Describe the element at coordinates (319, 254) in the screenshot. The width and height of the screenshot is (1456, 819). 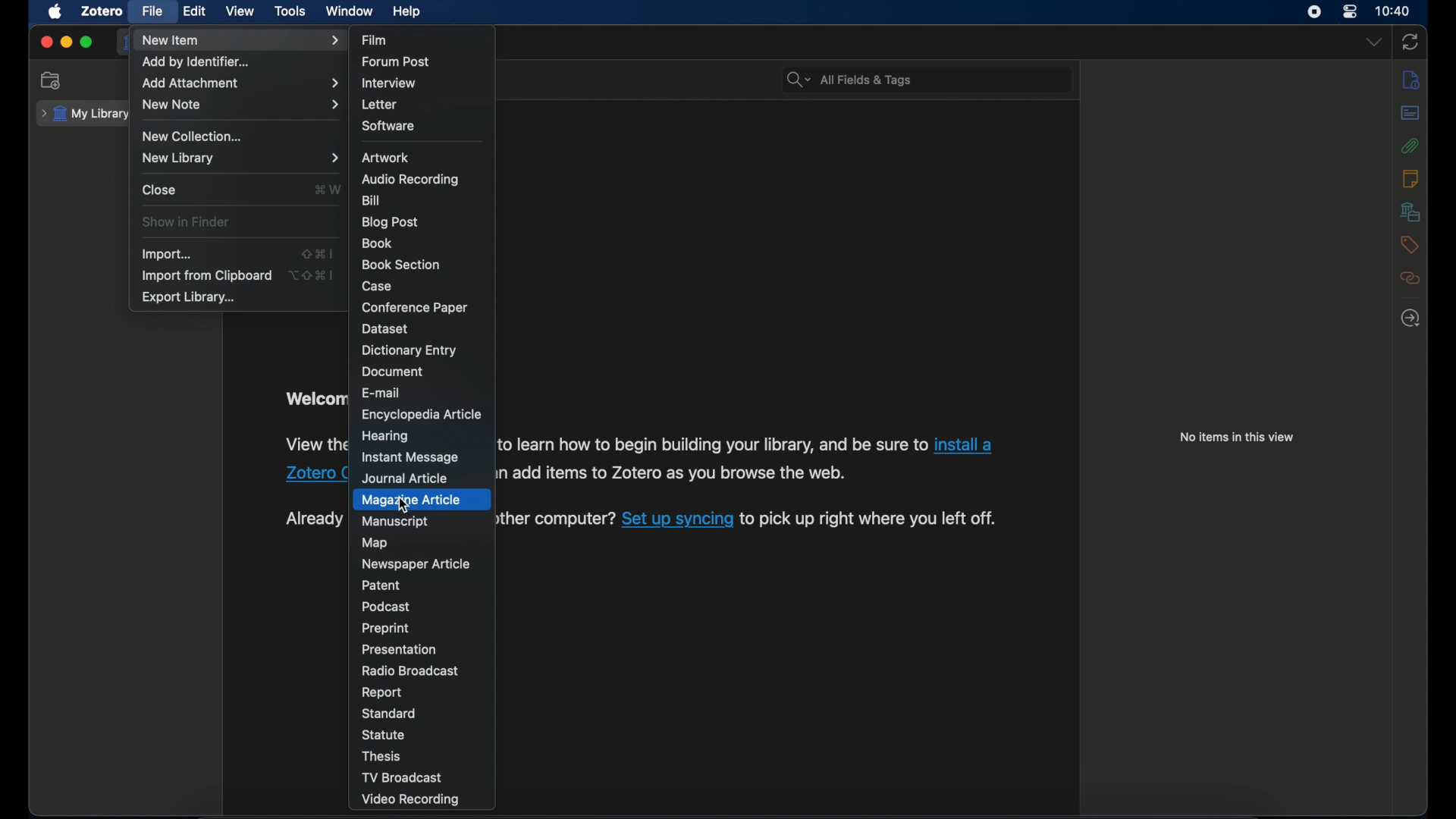
I see `shortcut` at that location.